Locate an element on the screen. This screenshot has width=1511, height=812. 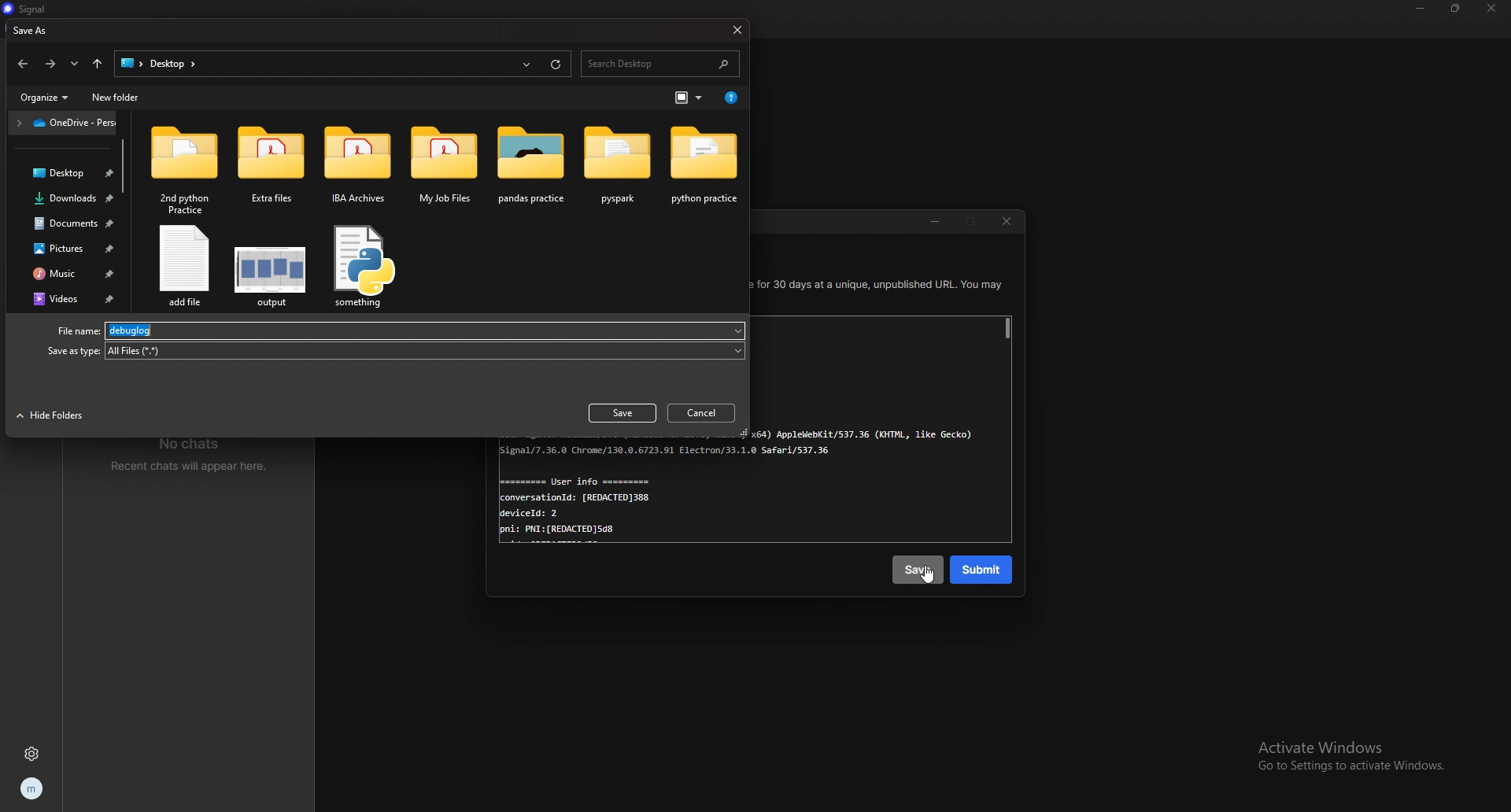
minimize is located at coordinates (934, 223).